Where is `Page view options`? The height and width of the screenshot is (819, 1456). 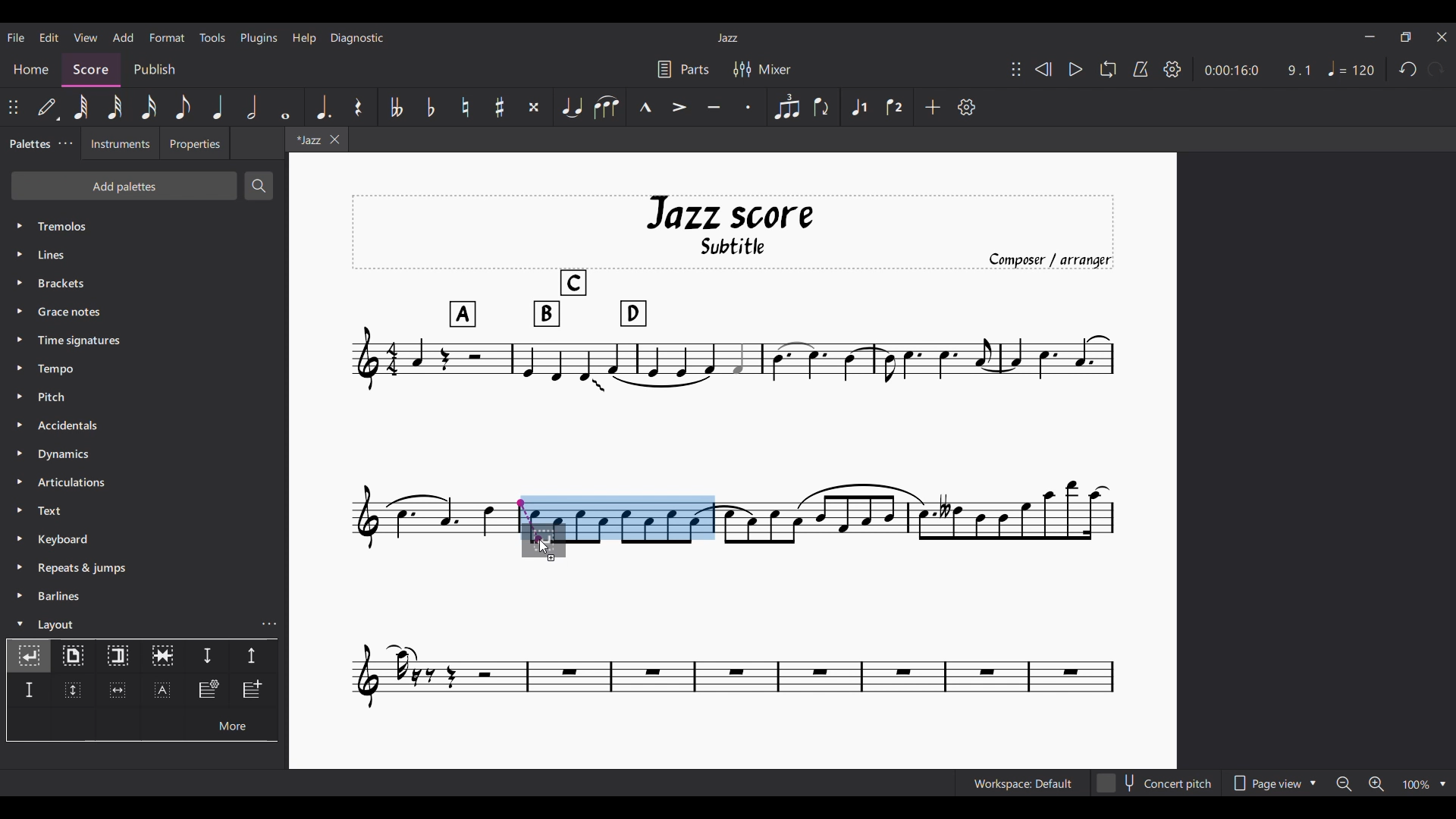
Page view options is located at coordinates (1274, 783).